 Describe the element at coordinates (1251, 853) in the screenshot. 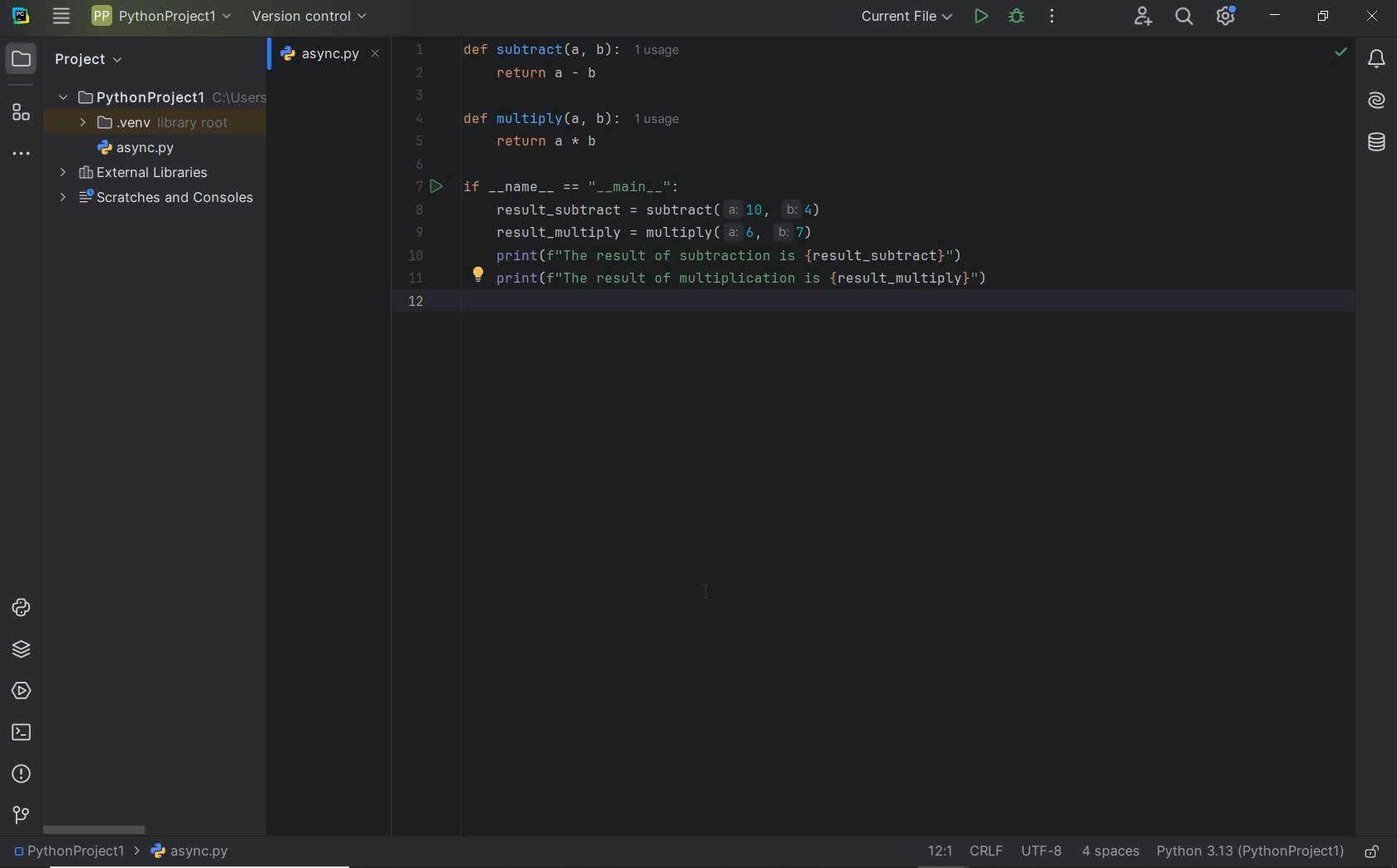

I see `current interpreter` at that location.